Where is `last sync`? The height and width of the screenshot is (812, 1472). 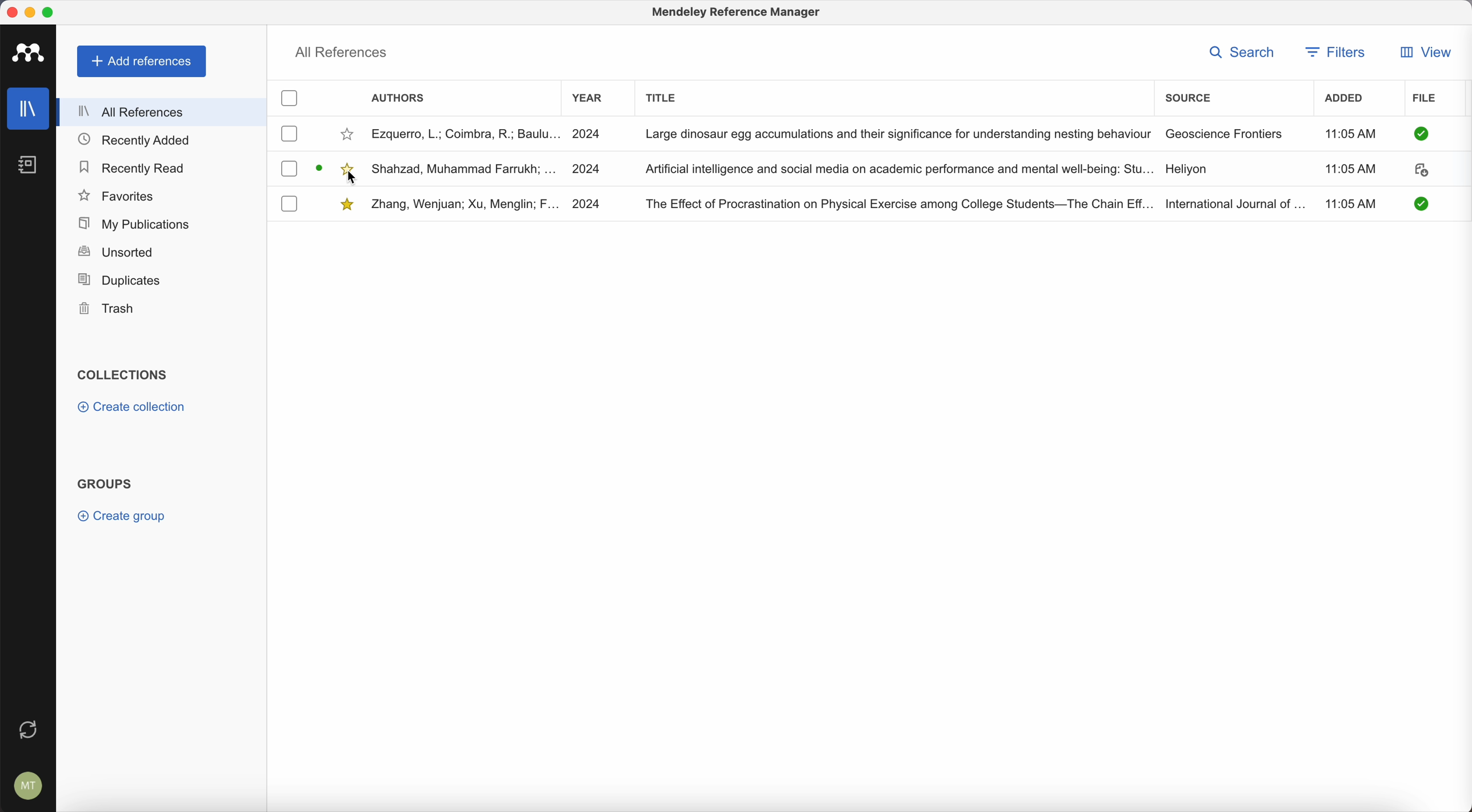
last sync is located at coordinates (29, 727).